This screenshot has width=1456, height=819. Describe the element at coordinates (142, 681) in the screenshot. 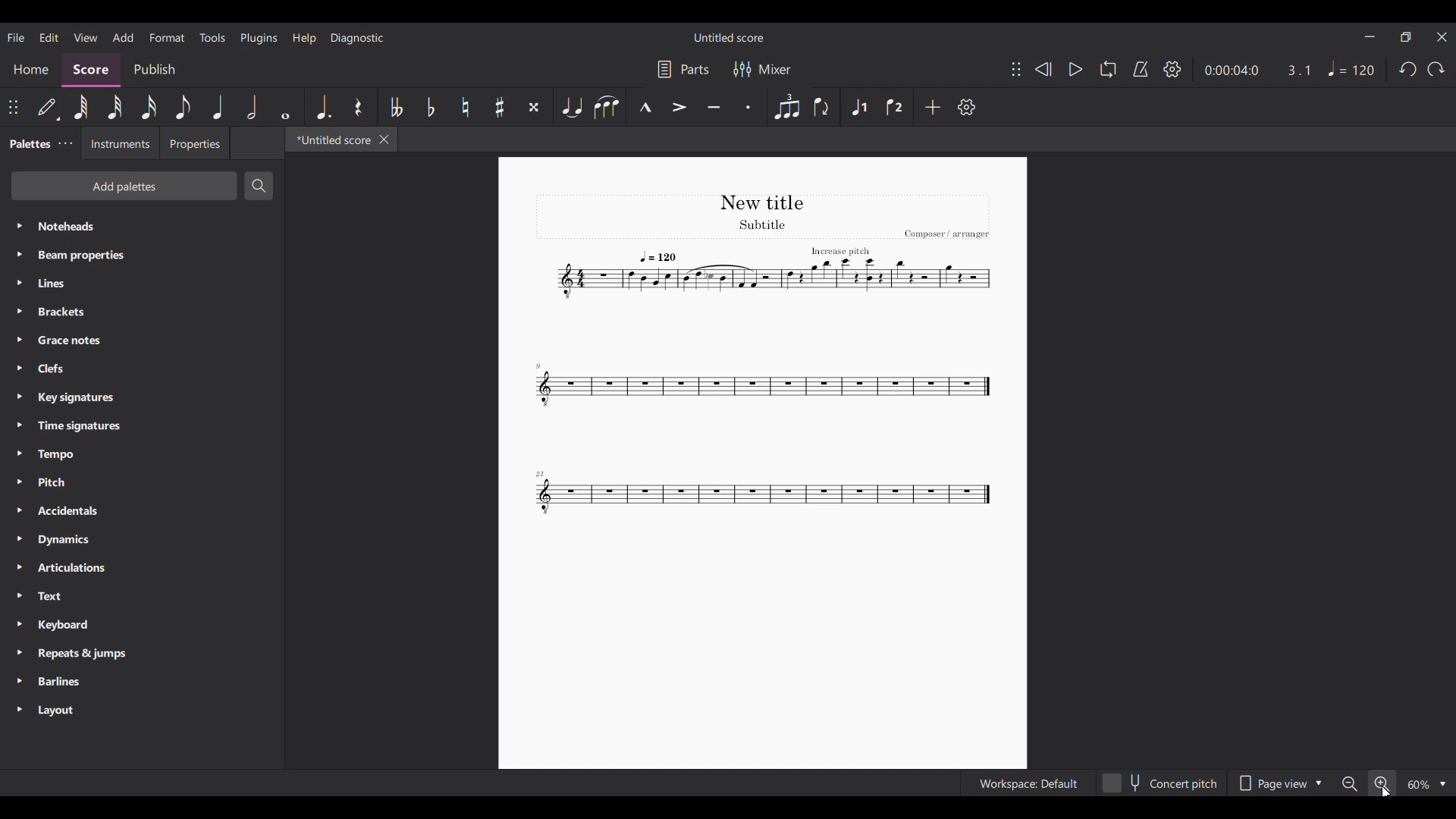

I see `Barlines` at that location.